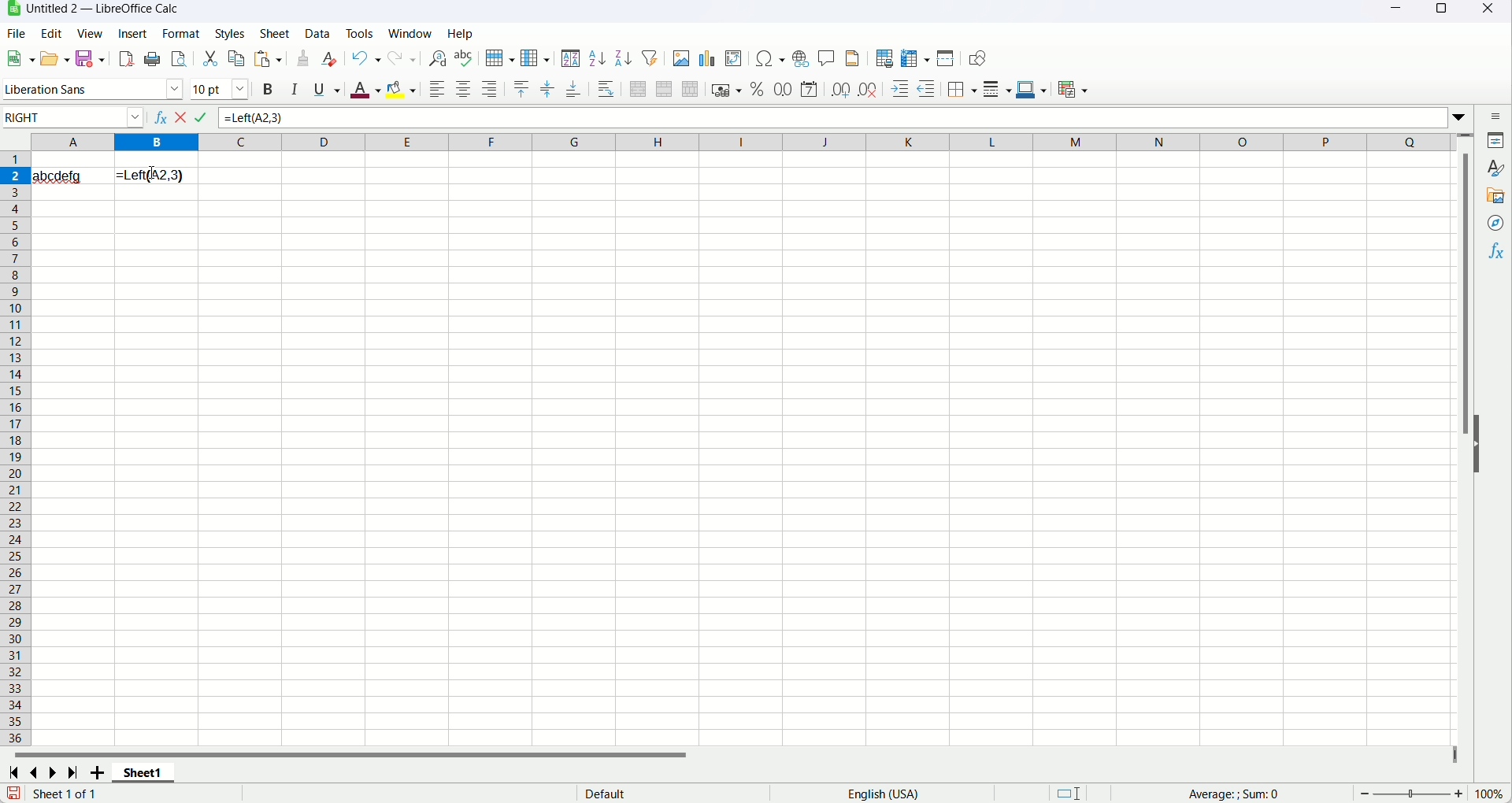  Describe the element at coordinates (181, 117) in the screenshot. I see `cancel` at that location.